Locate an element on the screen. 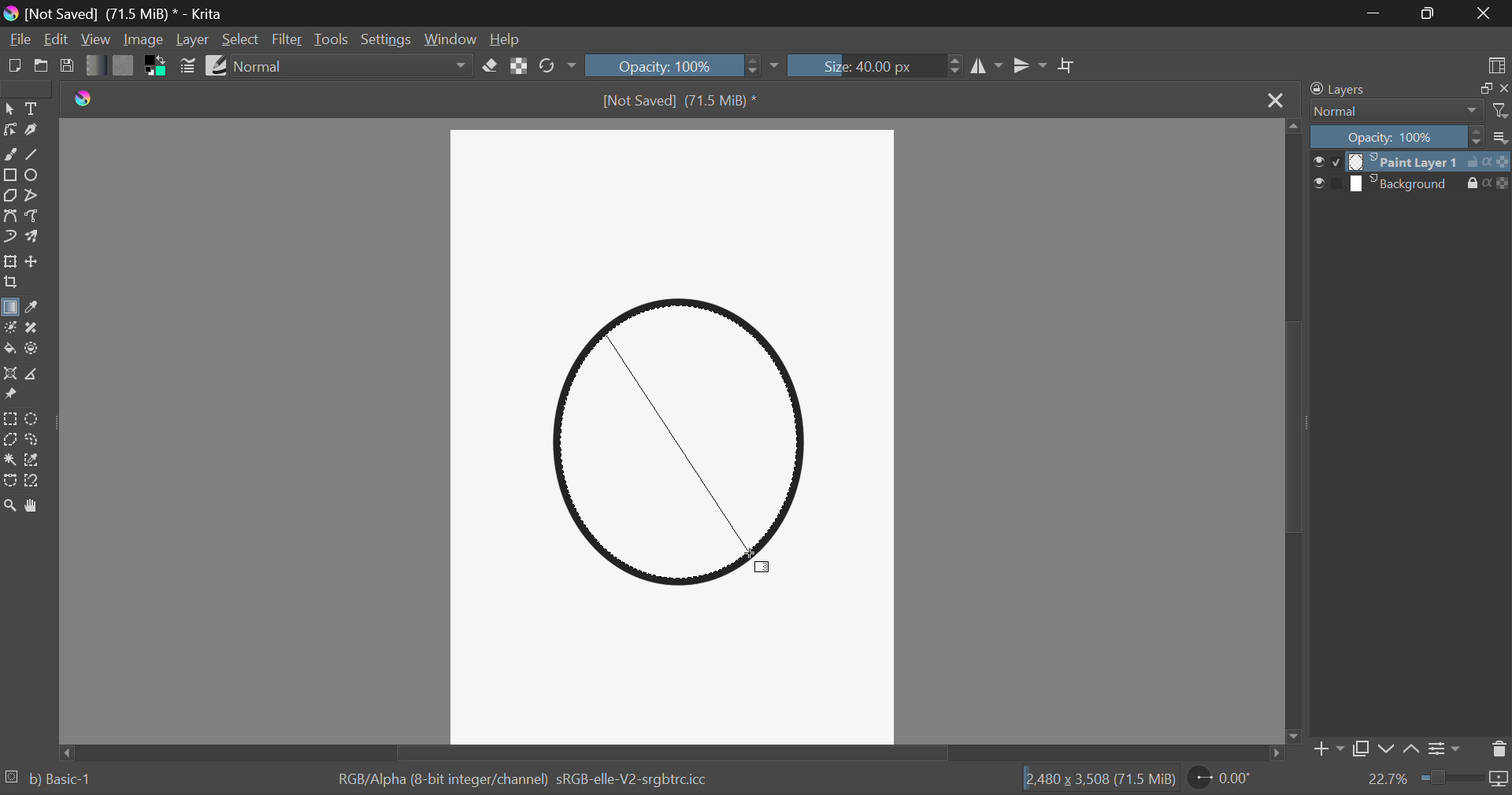 The image size is (1512, 795). Close is located at coordinates (1488, 14).